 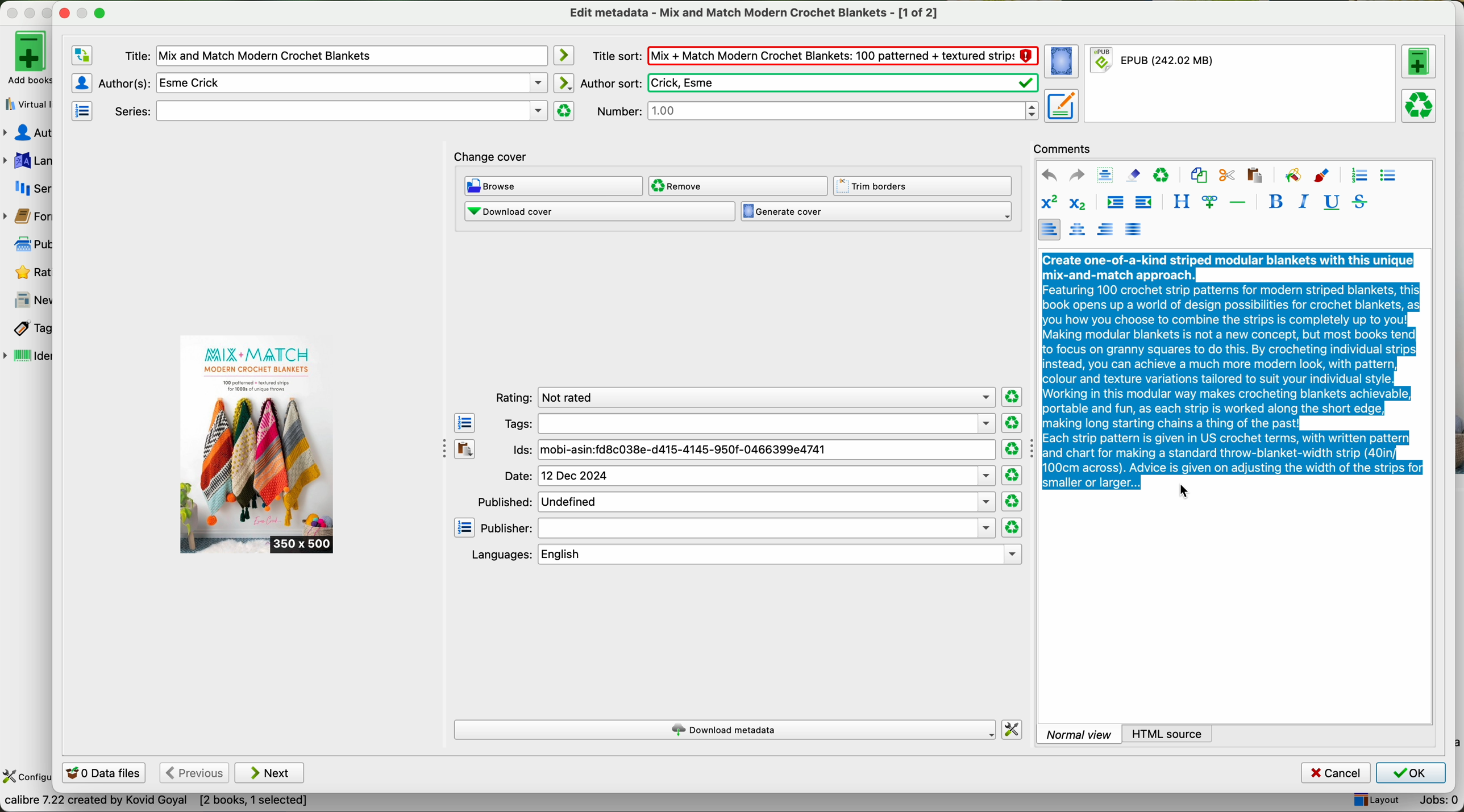 I want to click on clear rating, so click(x=1012, y=528).